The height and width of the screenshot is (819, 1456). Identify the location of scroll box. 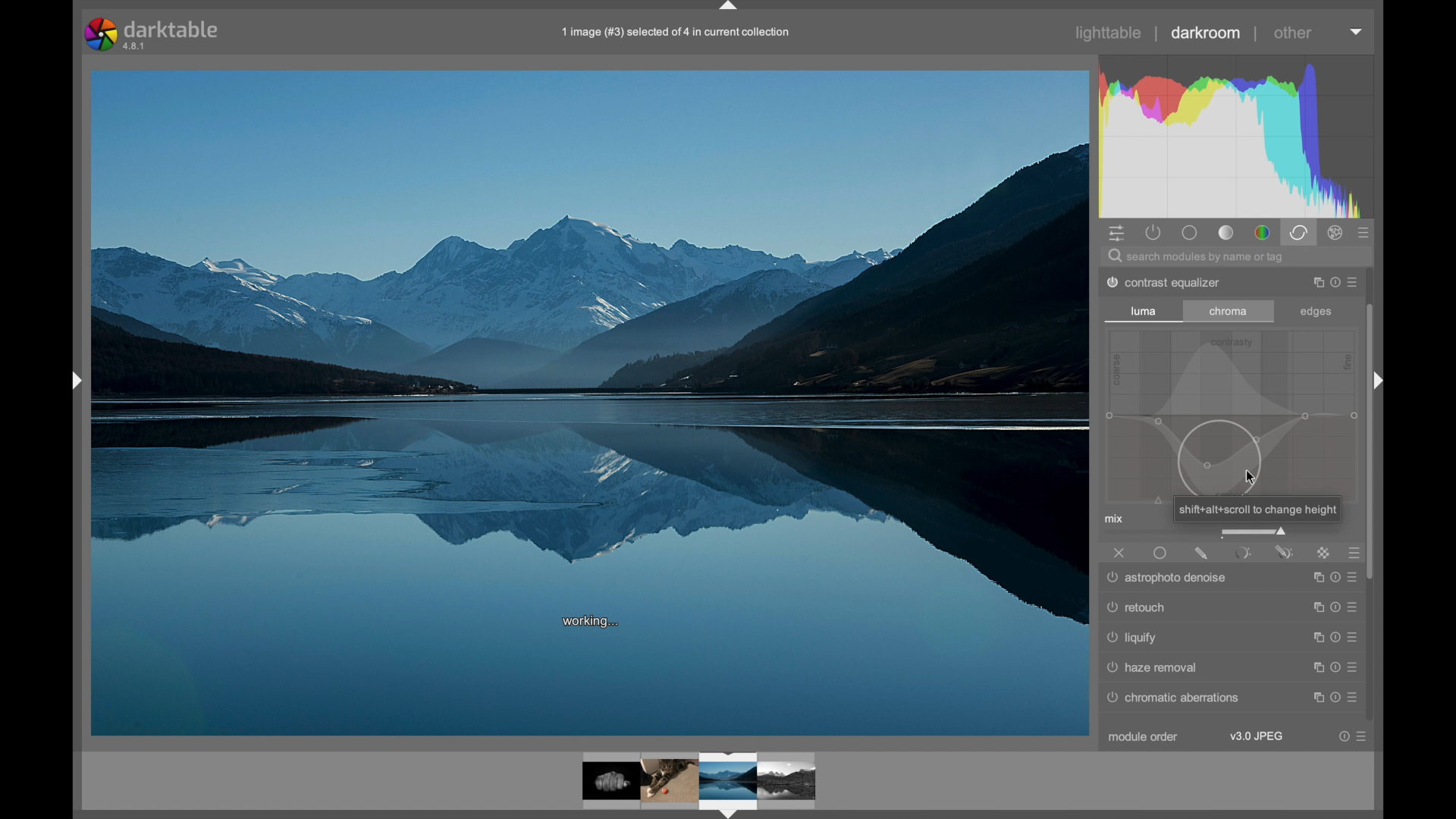
(1370, 482).